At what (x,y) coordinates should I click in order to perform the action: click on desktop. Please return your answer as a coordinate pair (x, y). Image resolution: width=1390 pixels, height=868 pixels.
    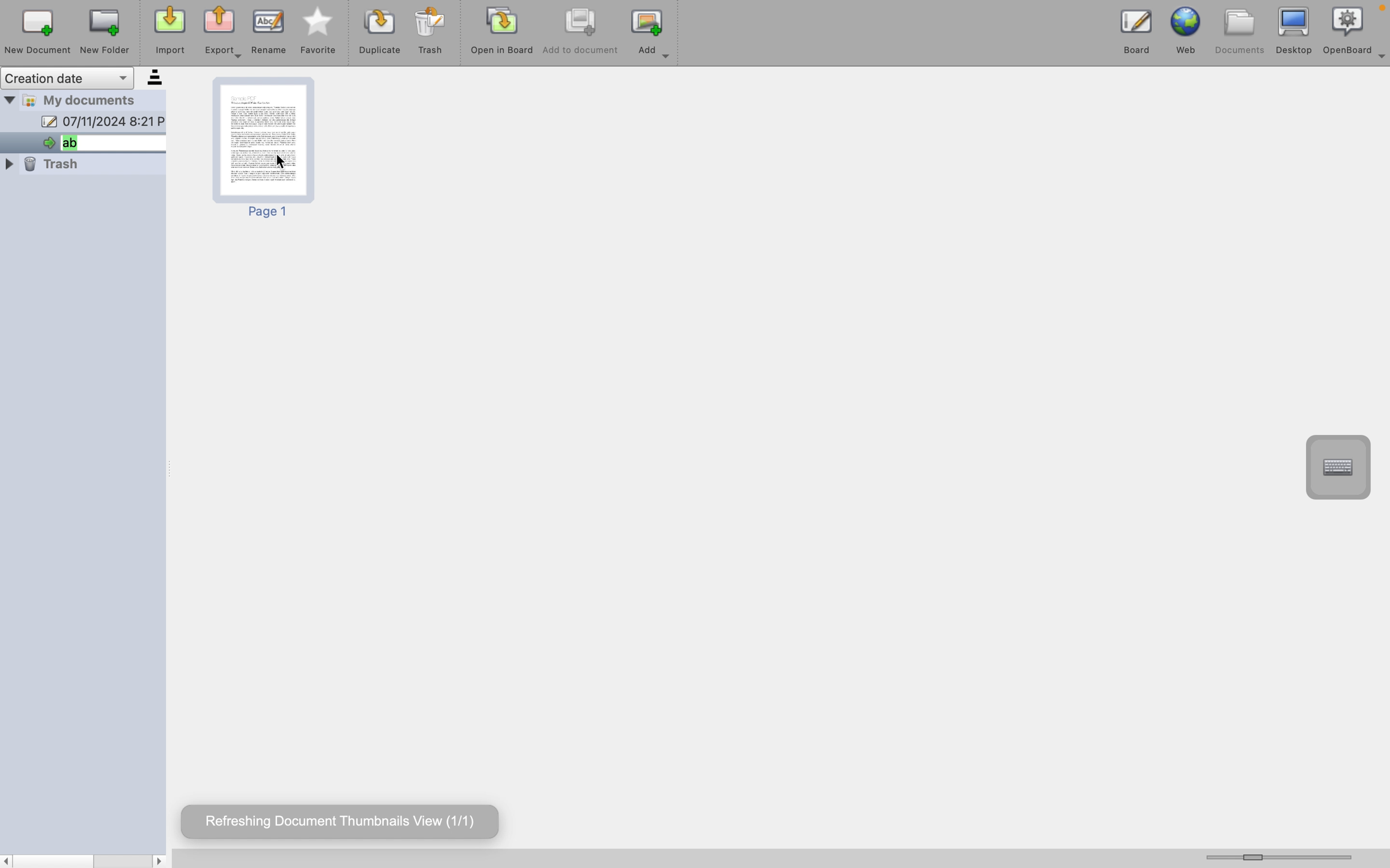
    Looking at the image, I should click on (1295, 30).